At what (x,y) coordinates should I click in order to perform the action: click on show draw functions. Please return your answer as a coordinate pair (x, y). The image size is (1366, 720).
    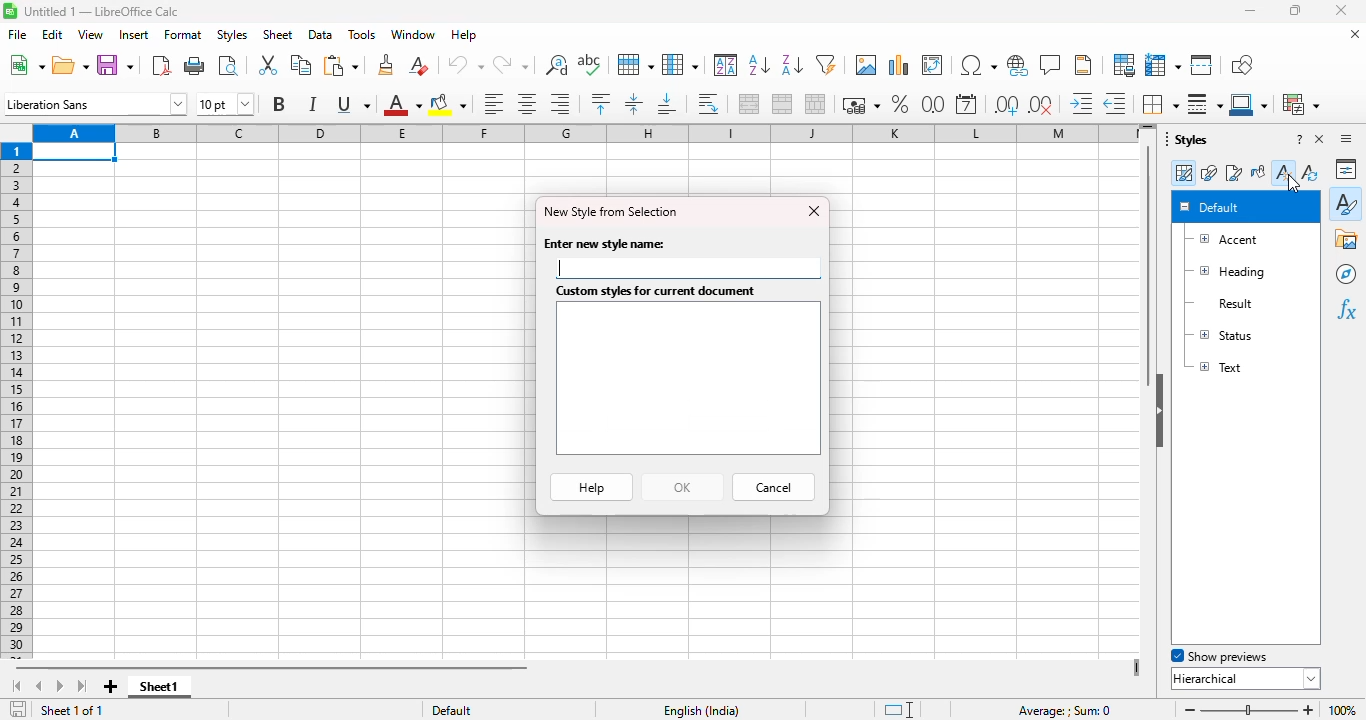
    Looking at the image, I should click on (1242, 65).